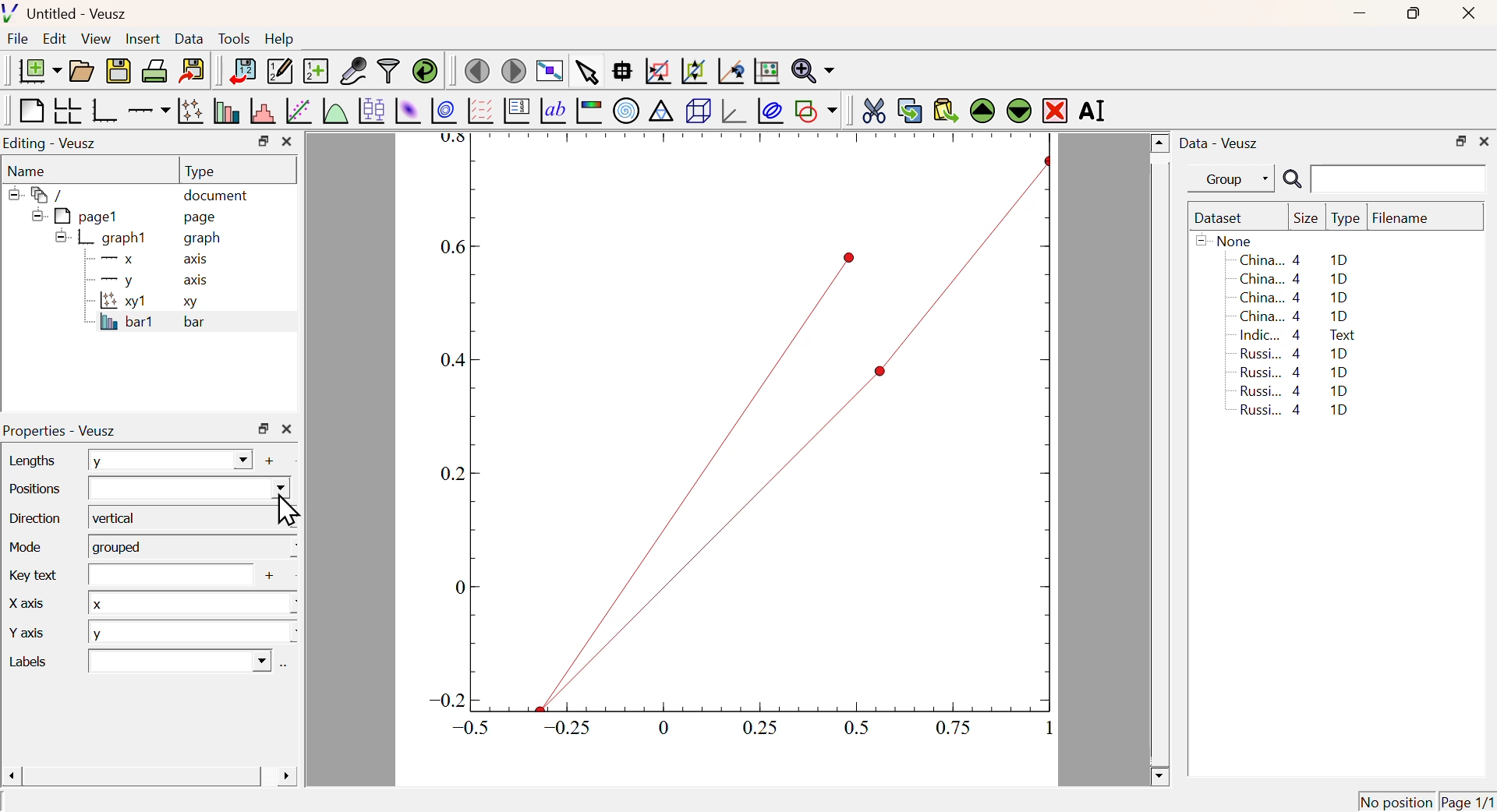 The image size is (1497, 812). I want to click on Restore Down, so click(264, 429).